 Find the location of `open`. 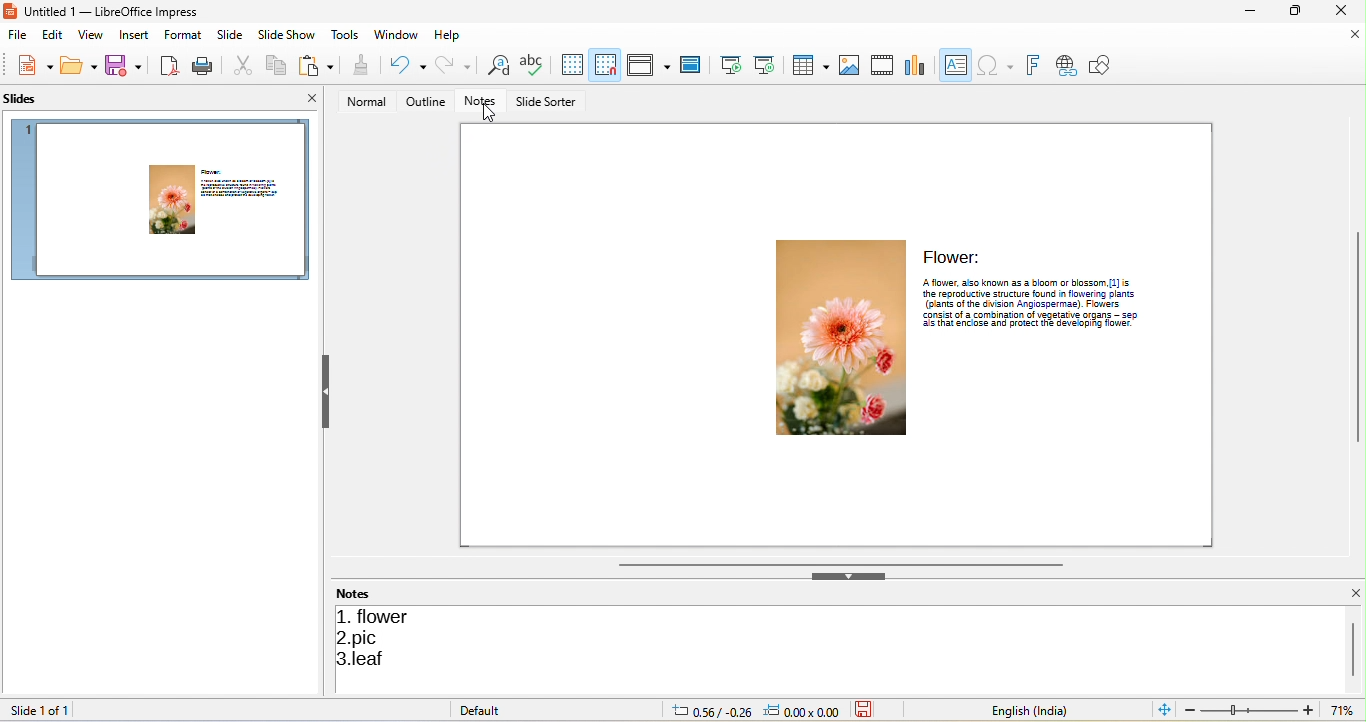

open is located at coordinates (79, 65).